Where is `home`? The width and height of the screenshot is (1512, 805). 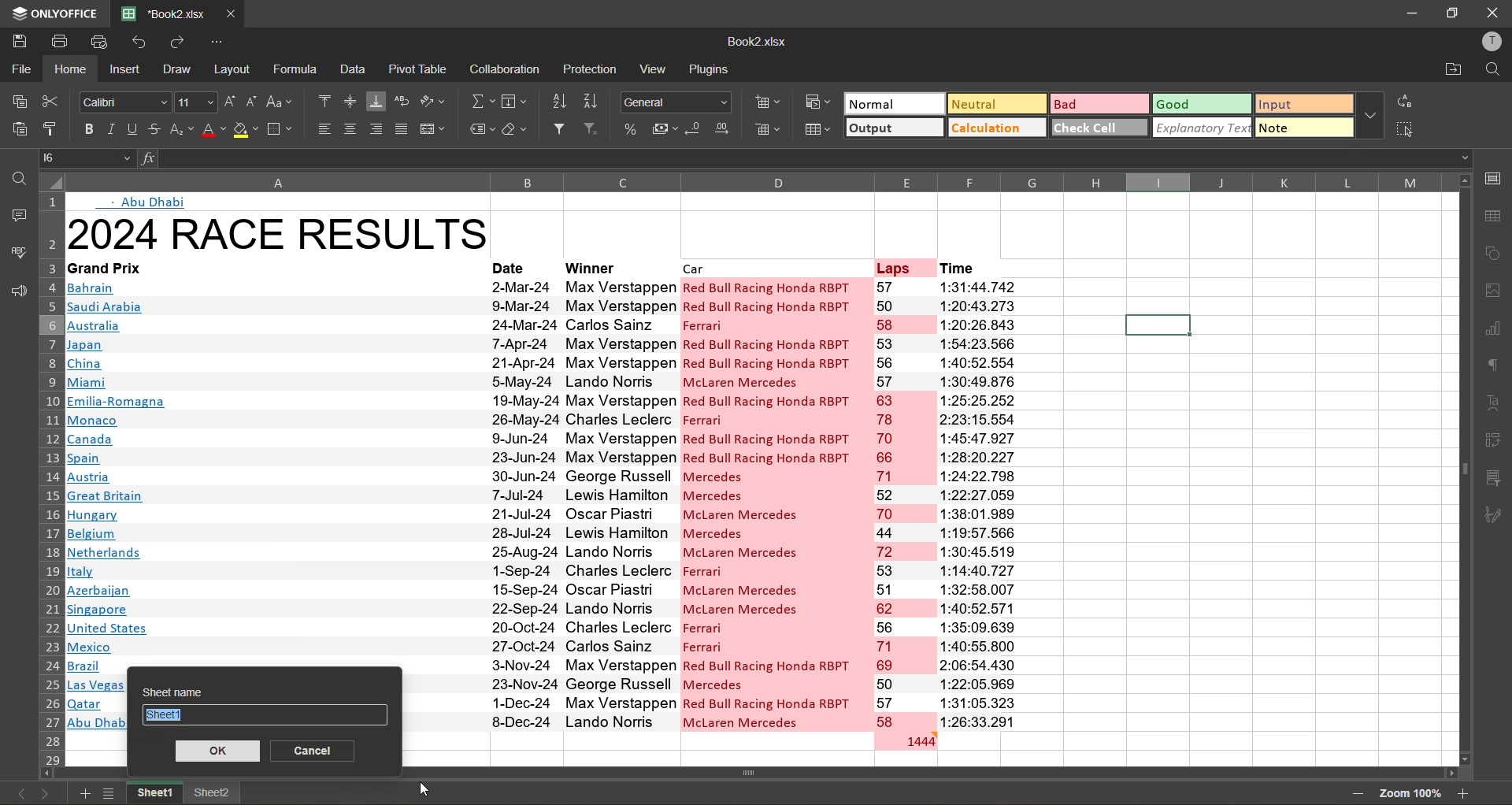 home is located at coordinates (69, 69).